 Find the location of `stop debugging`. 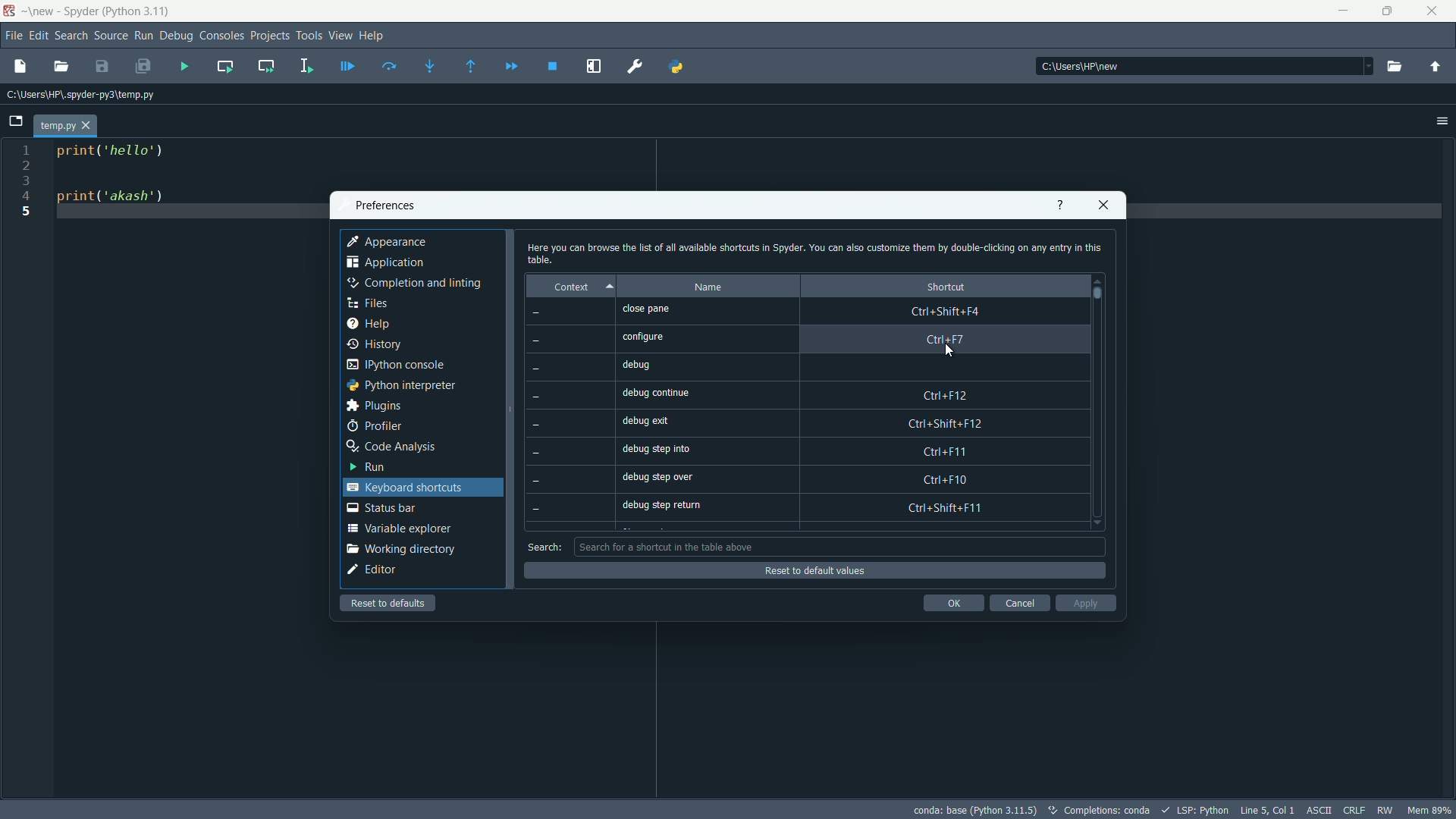

stop debugging is located at coordinates (552, 67).